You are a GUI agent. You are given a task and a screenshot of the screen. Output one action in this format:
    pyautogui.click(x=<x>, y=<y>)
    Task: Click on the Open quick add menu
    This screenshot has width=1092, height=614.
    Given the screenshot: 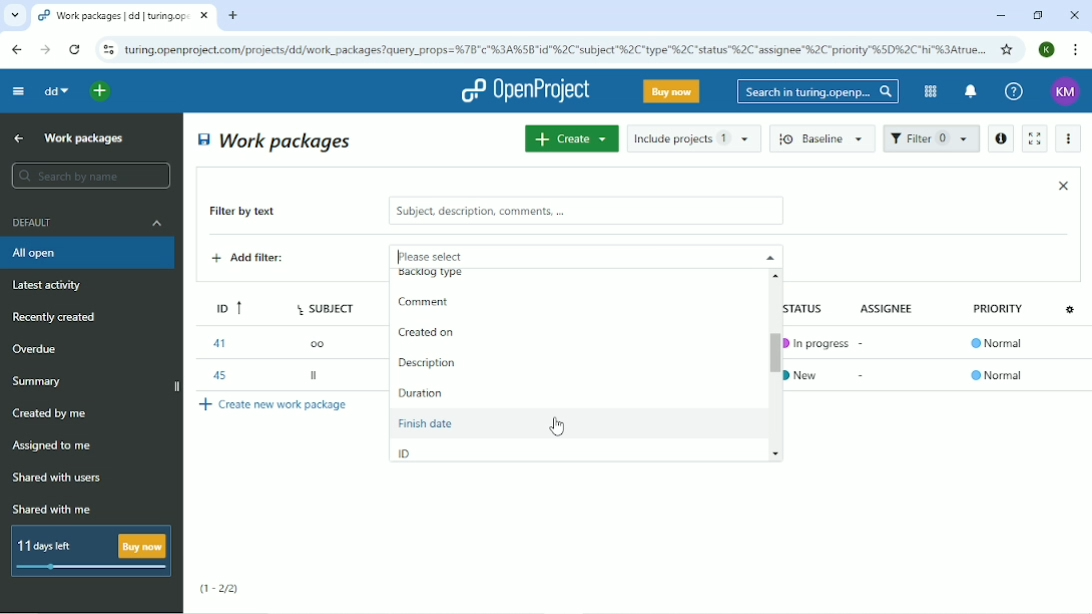 What is the action you would take?
    pyautogui.click(x=101, y=91)
    